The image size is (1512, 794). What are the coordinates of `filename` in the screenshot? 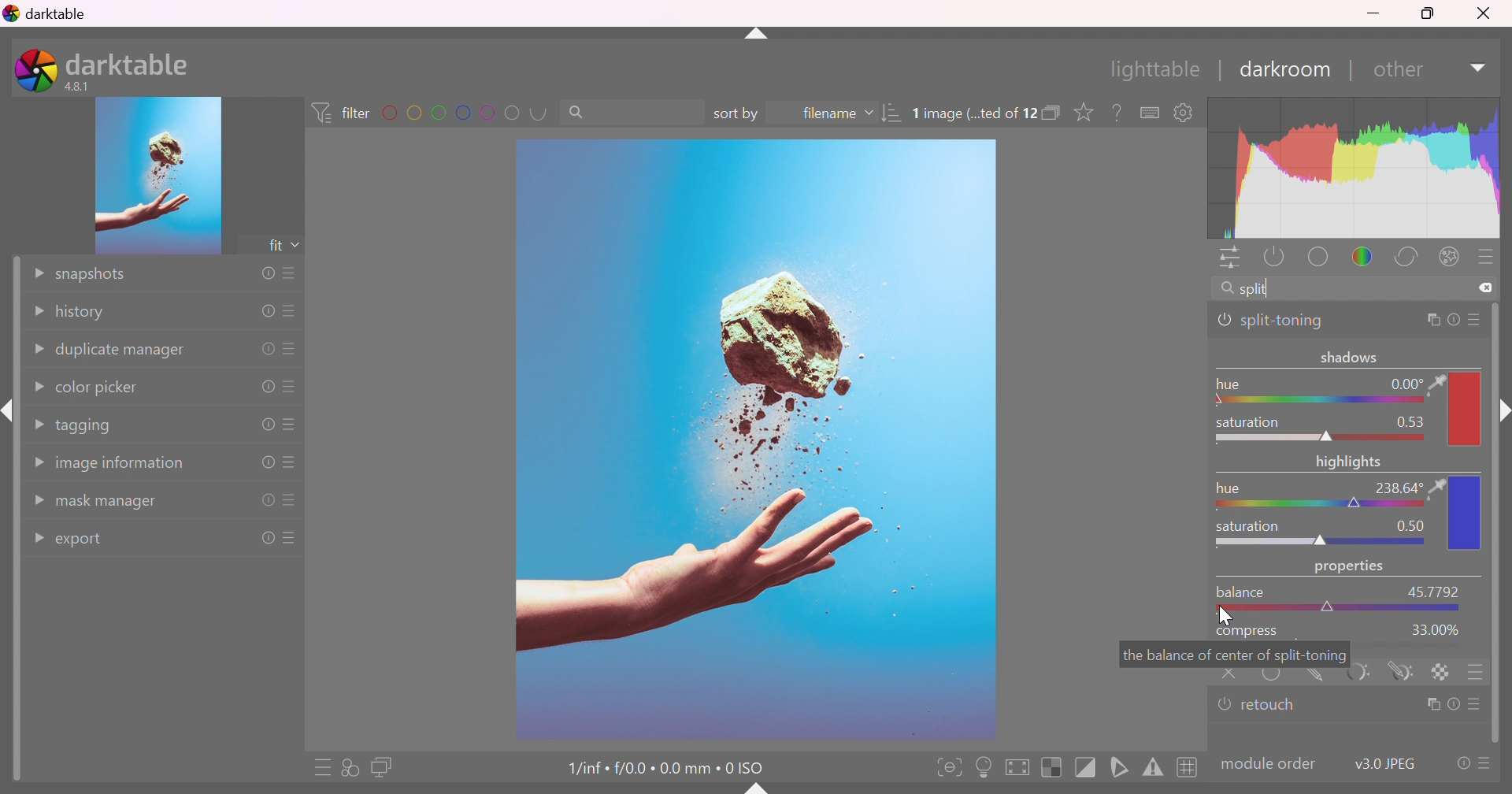 It's located at (821, 114).